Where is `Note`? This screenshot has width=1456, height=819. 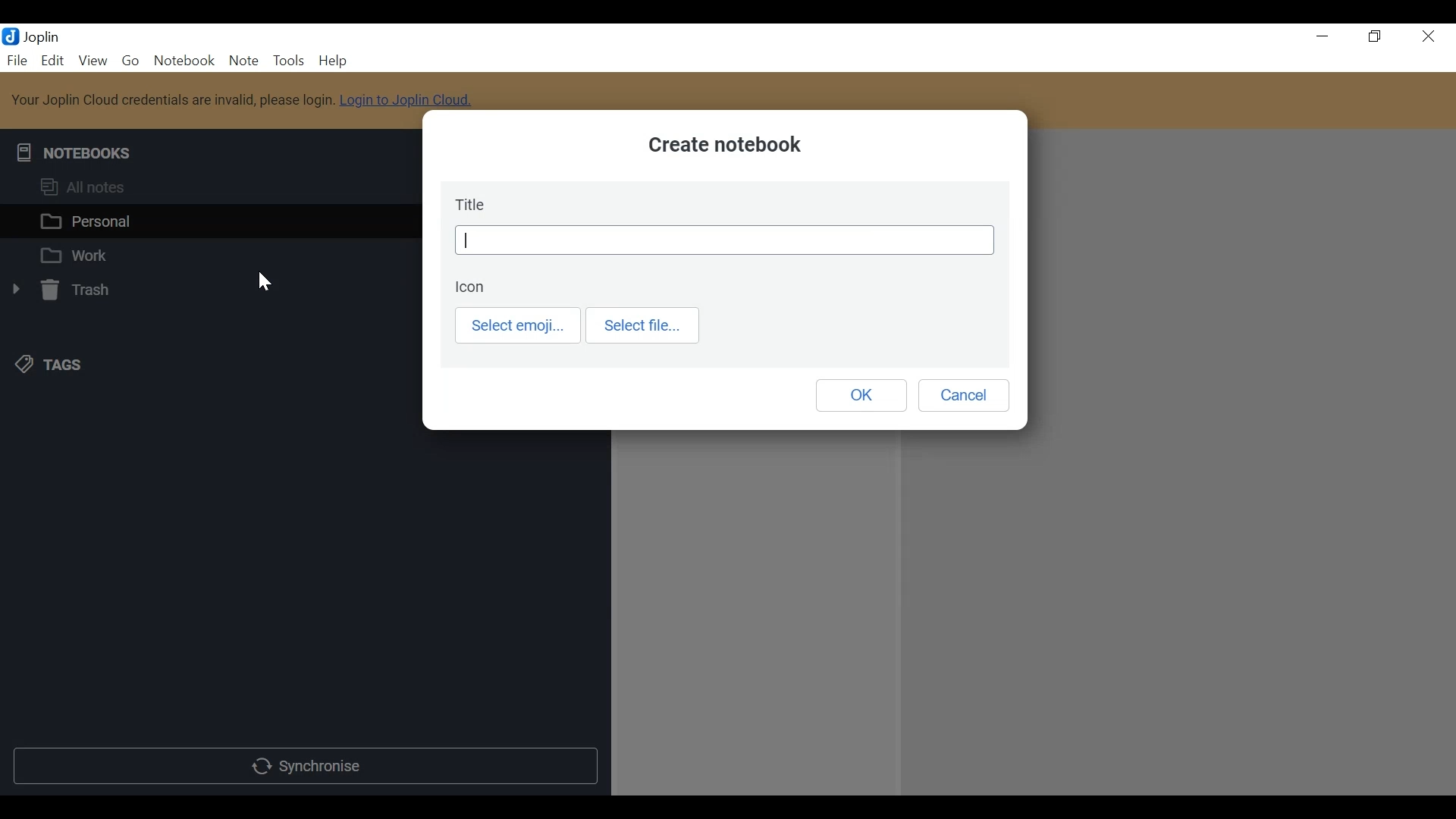 Note is located at coordinates (243, 61).